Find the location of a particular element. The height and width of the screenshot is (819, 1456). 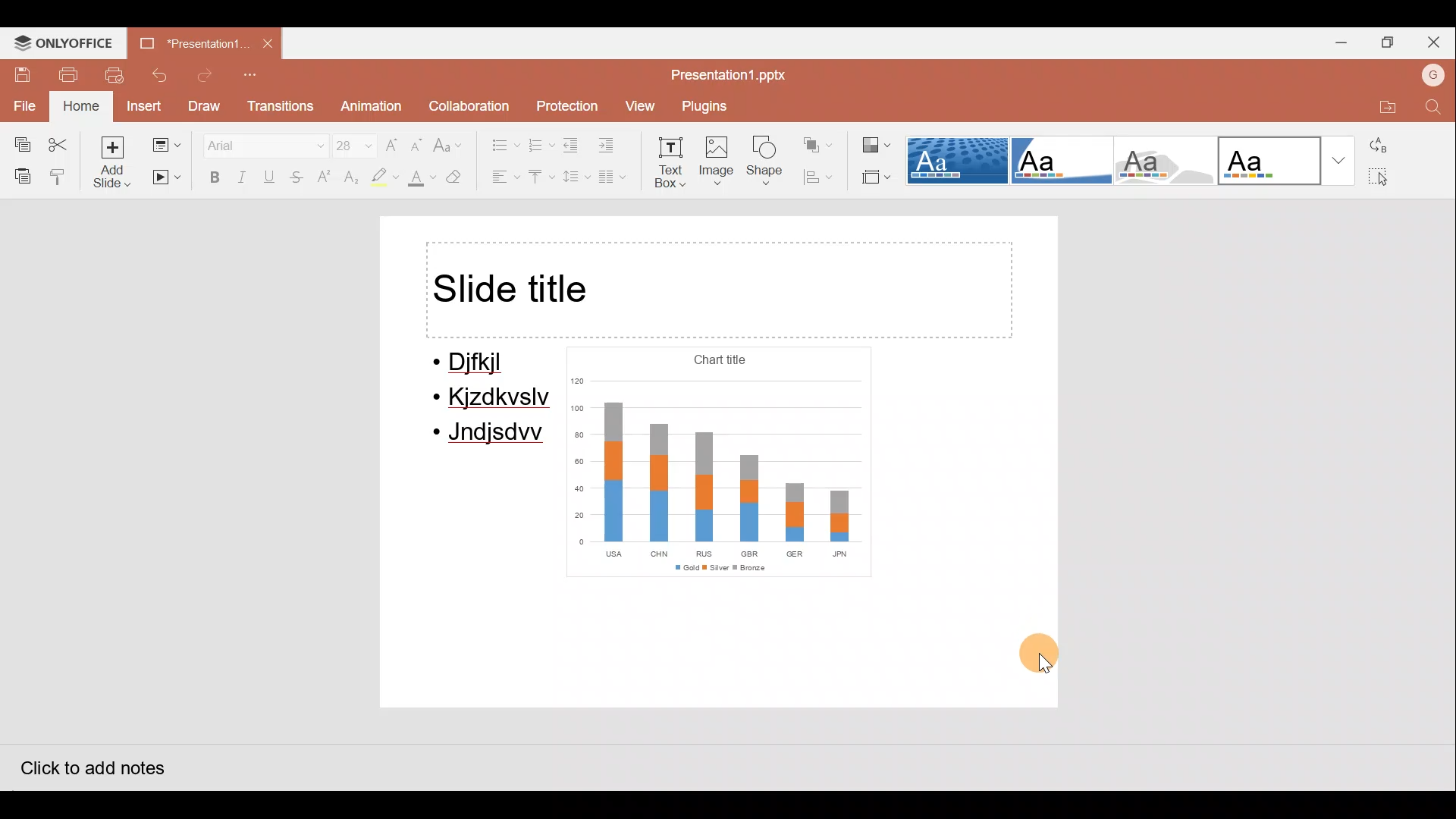

Corner is located at coordinates (1059, 159).